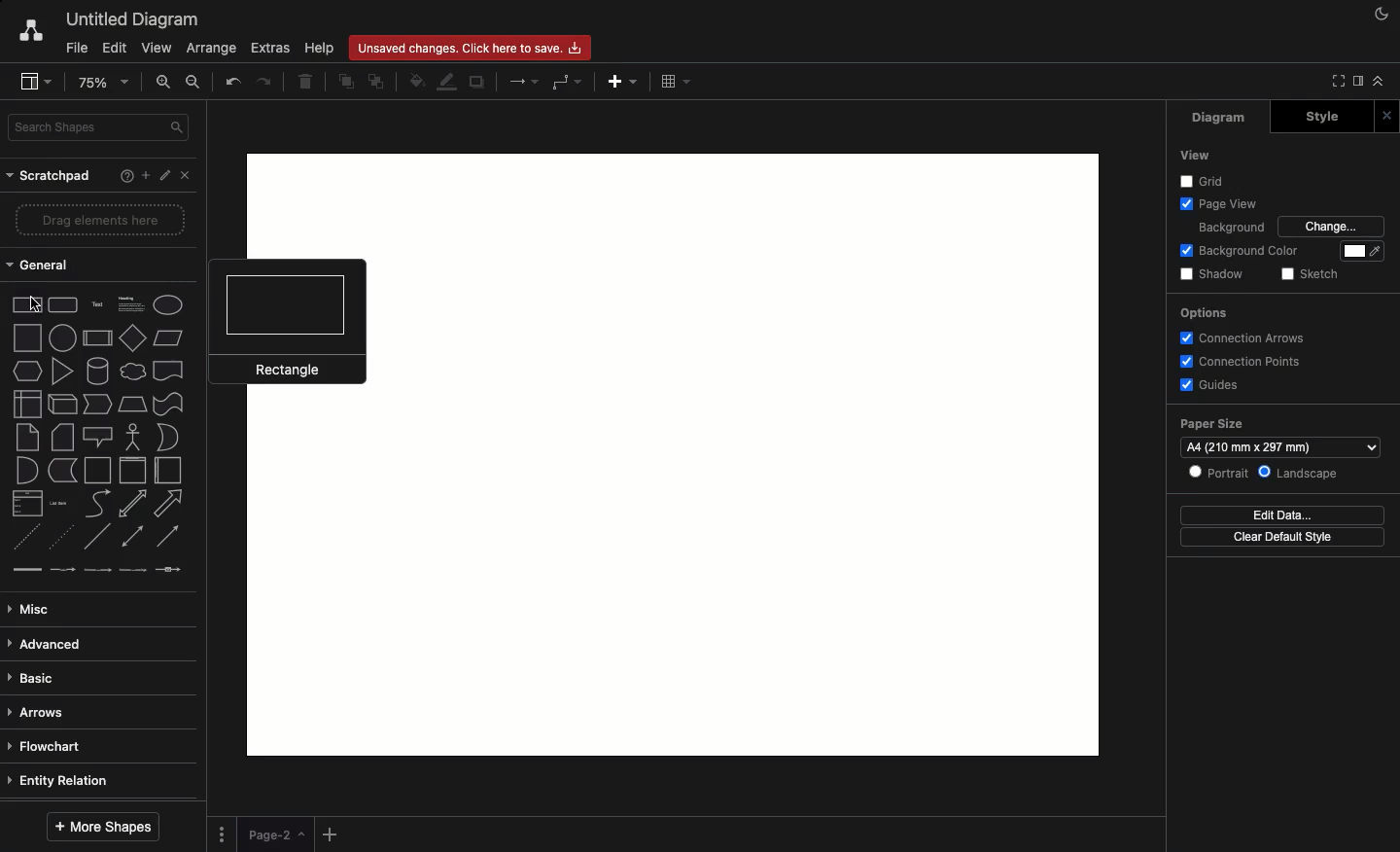  Describe the element at coordinates (60, 502) in the screenshot. I see `list item` at that location.